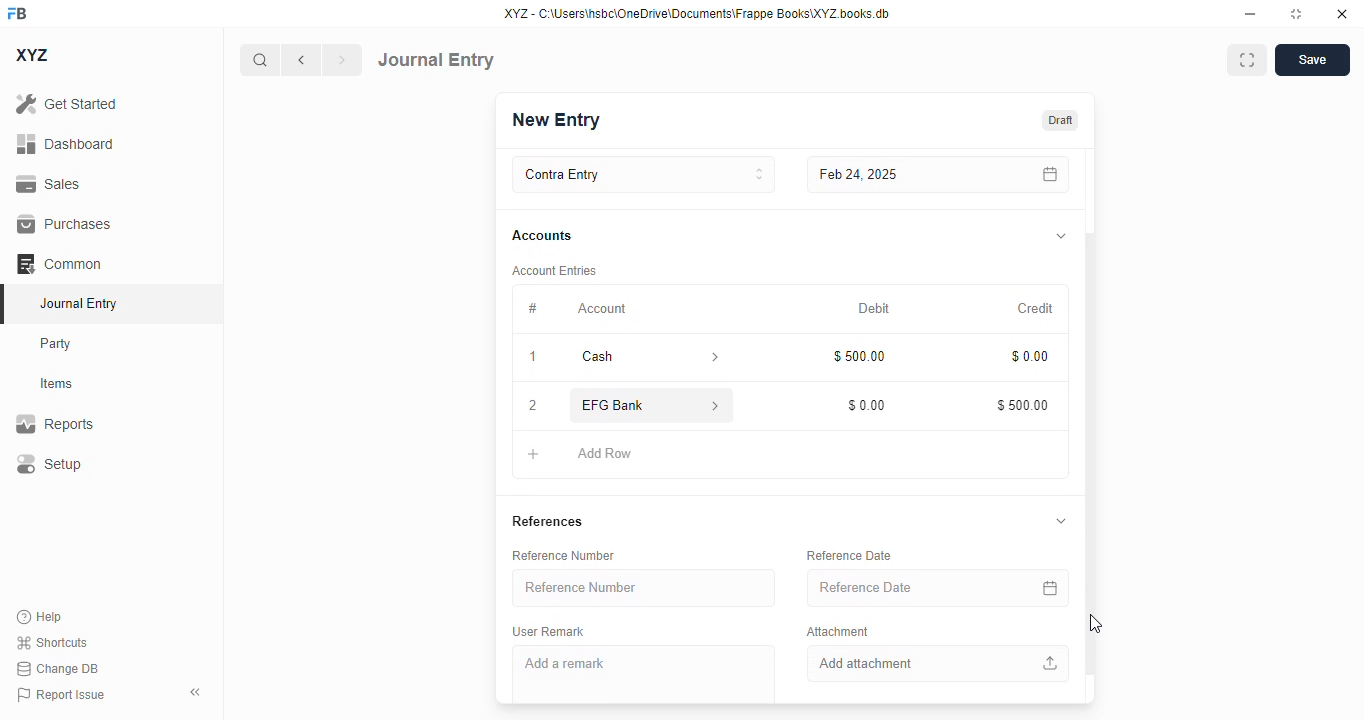  What do you see at coordinates (865, 406) in the screenshot?
I see `$0.00` at bounding box center [865, 406].